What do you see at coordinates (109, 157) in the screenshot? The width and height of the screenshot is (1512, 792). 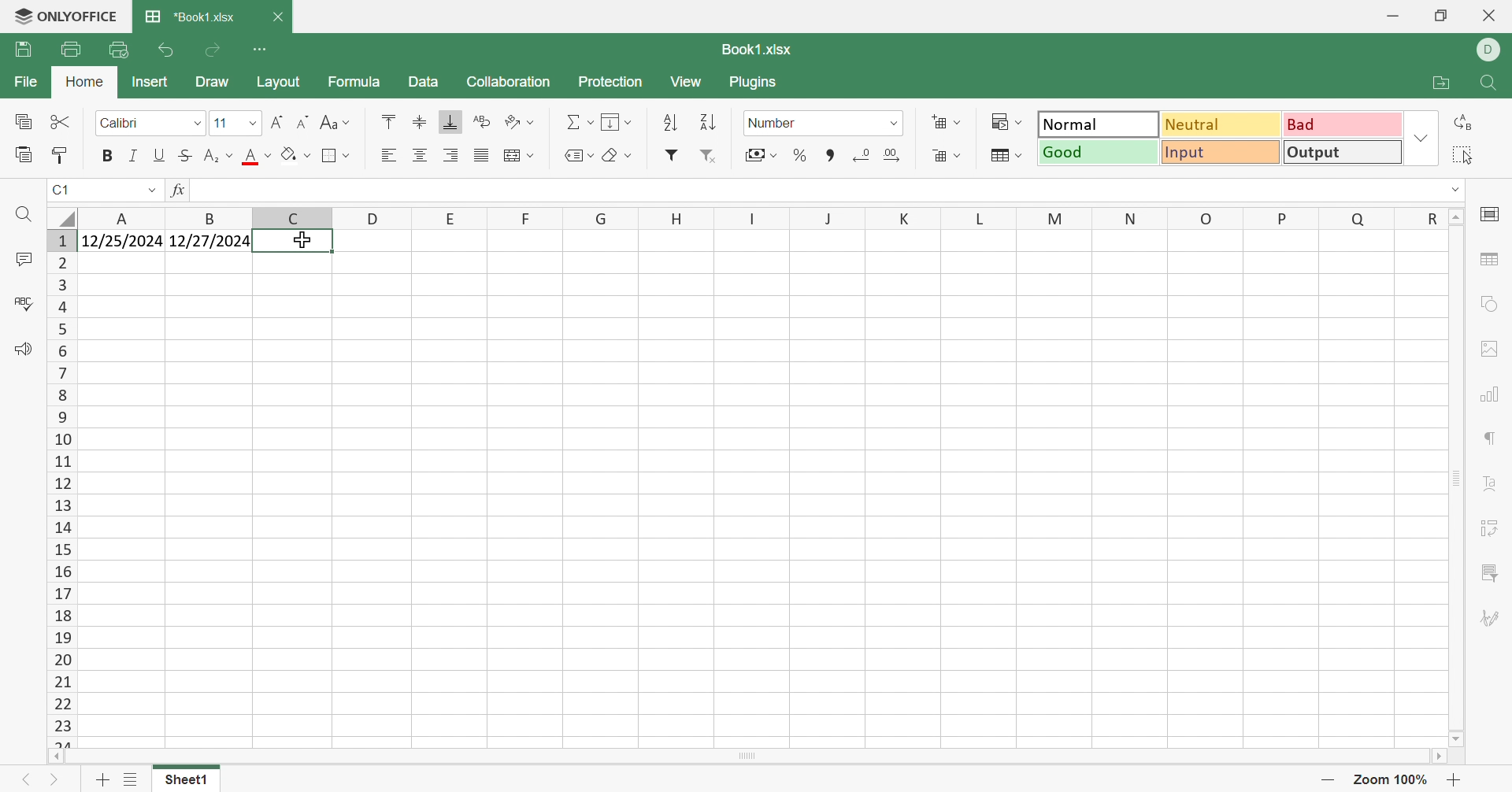 I see `Bold` at bounding box center [109, 157].